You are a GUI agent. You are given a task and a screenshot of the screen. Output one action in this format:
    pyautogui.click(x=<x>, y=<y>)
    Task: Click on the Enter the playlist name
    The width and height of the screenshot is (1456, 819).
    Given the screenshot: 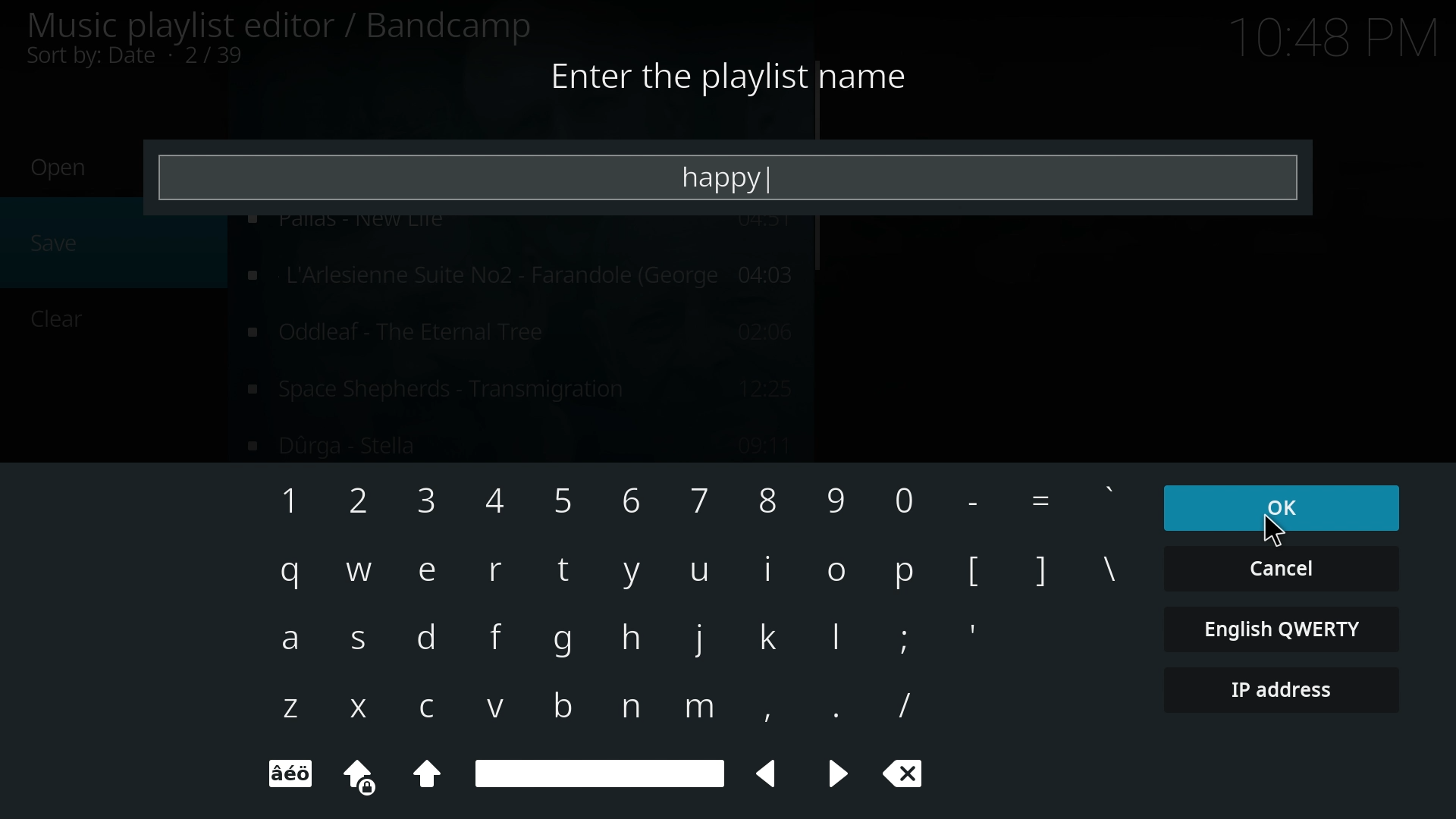 What is the action you would take?
    pyautogui.click(x=705, y=81)
    